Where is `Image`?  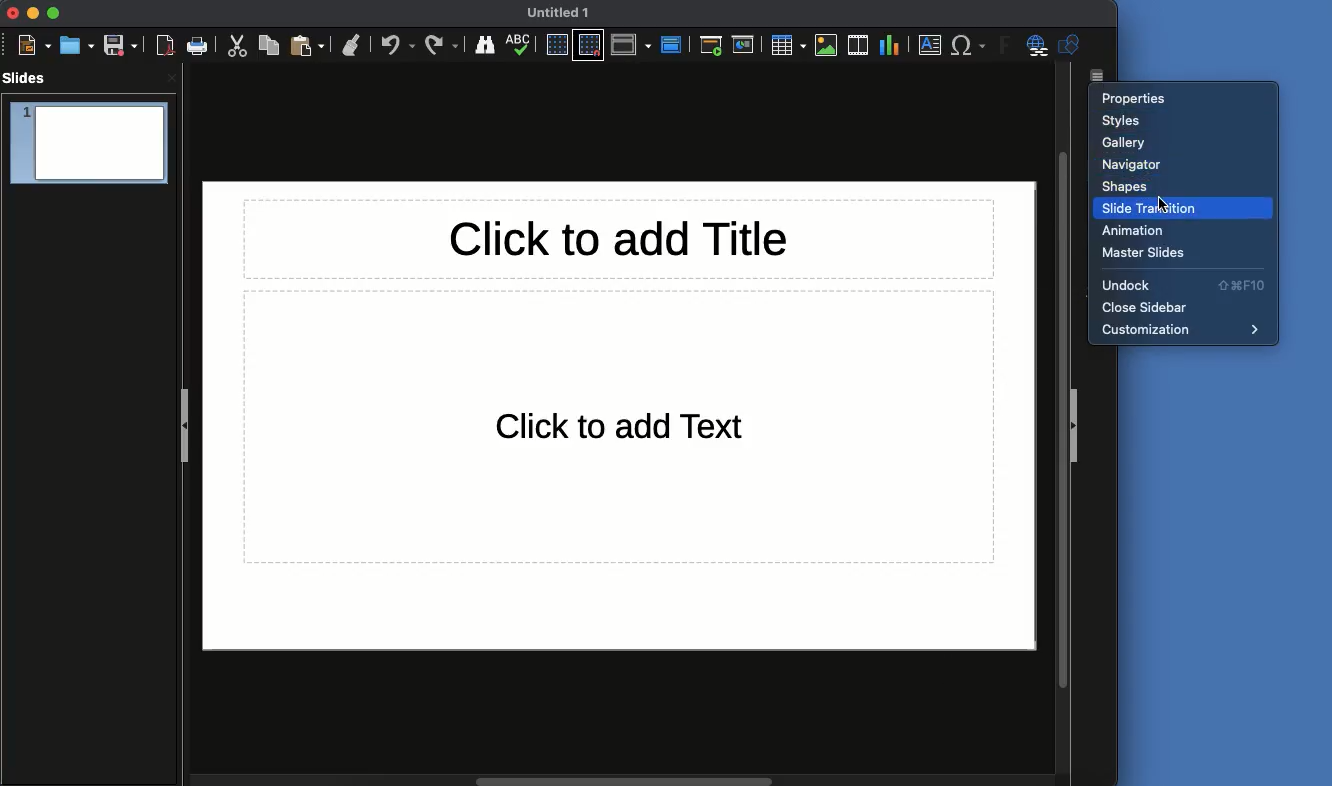 Image is located at coordinates (827, 43).